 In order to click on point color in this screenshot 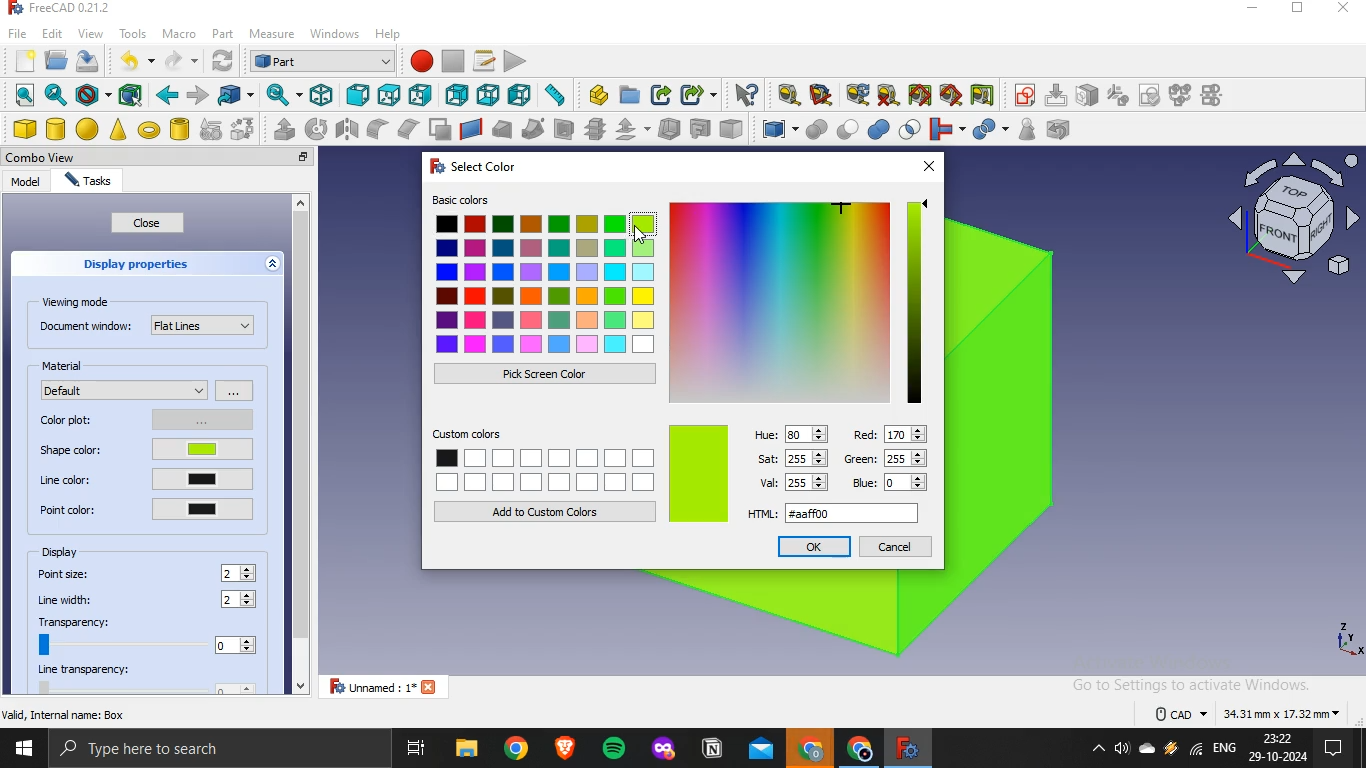, I will do `click(145, 508)`.